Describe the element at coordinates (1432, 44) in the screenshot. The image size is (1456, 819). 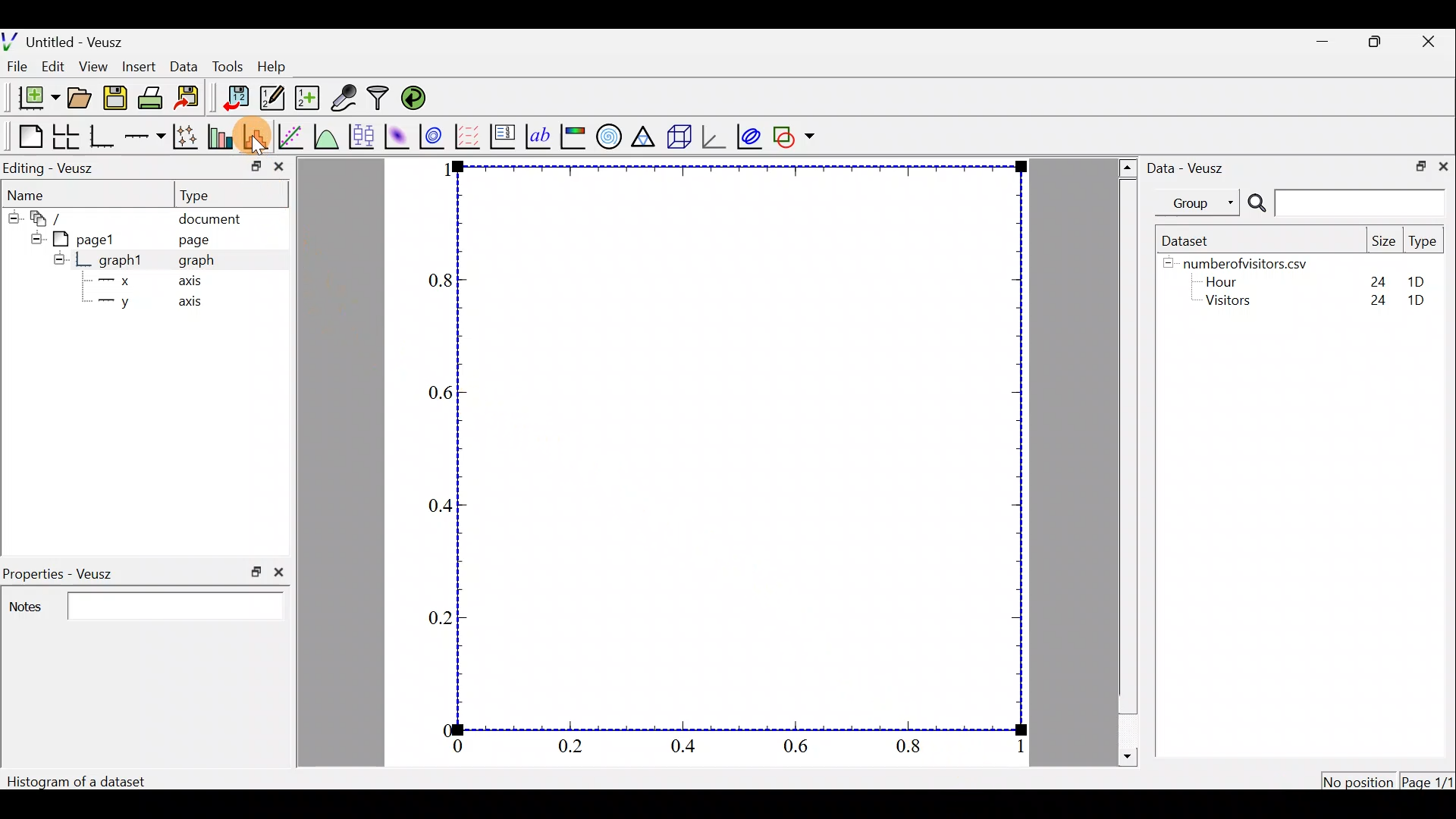
I see `close` at that location.